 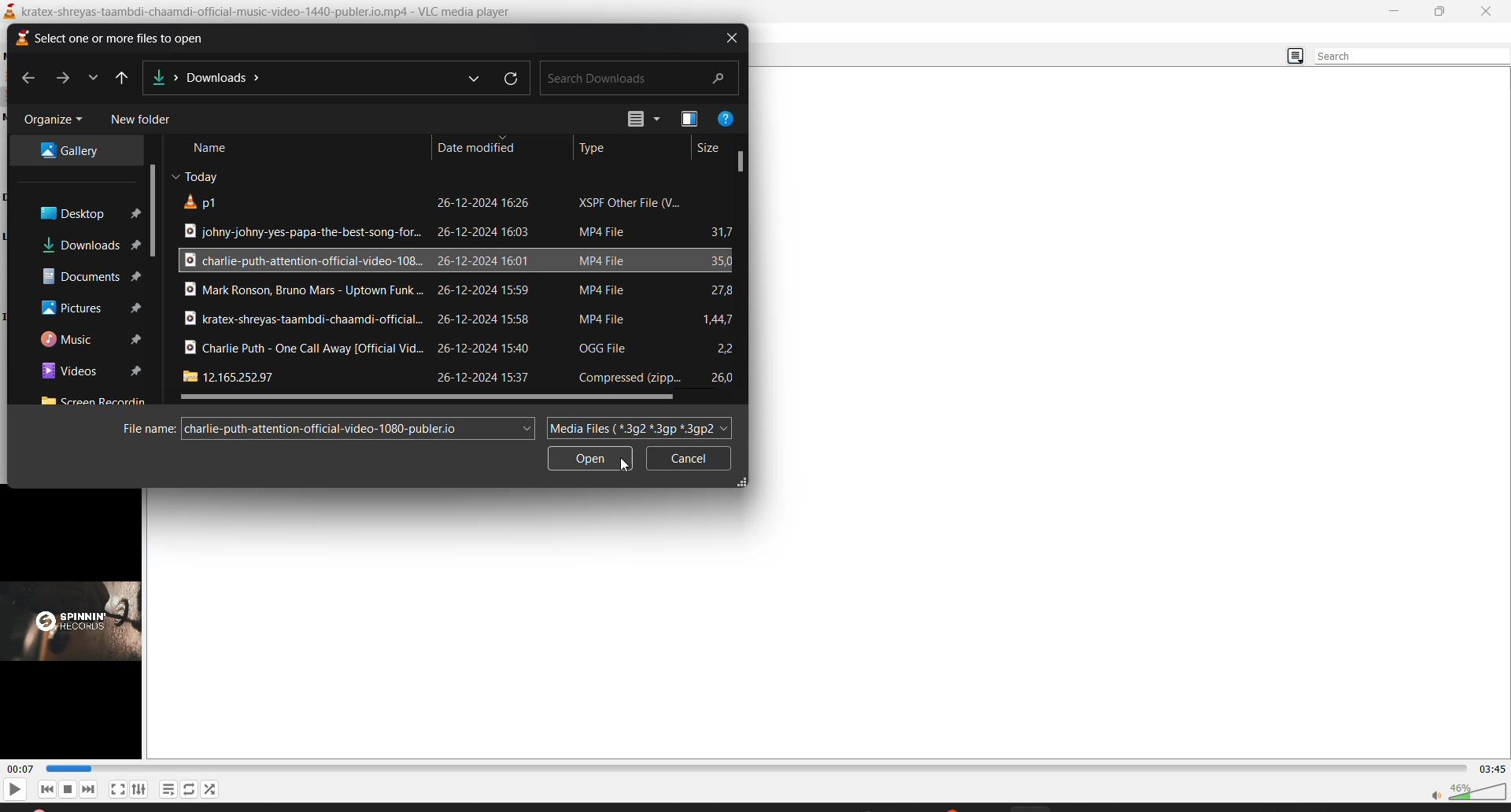 What do you see at coordinates (478, 375) in the screenshot?
I see `date modified` at bounding box center [478, 375].